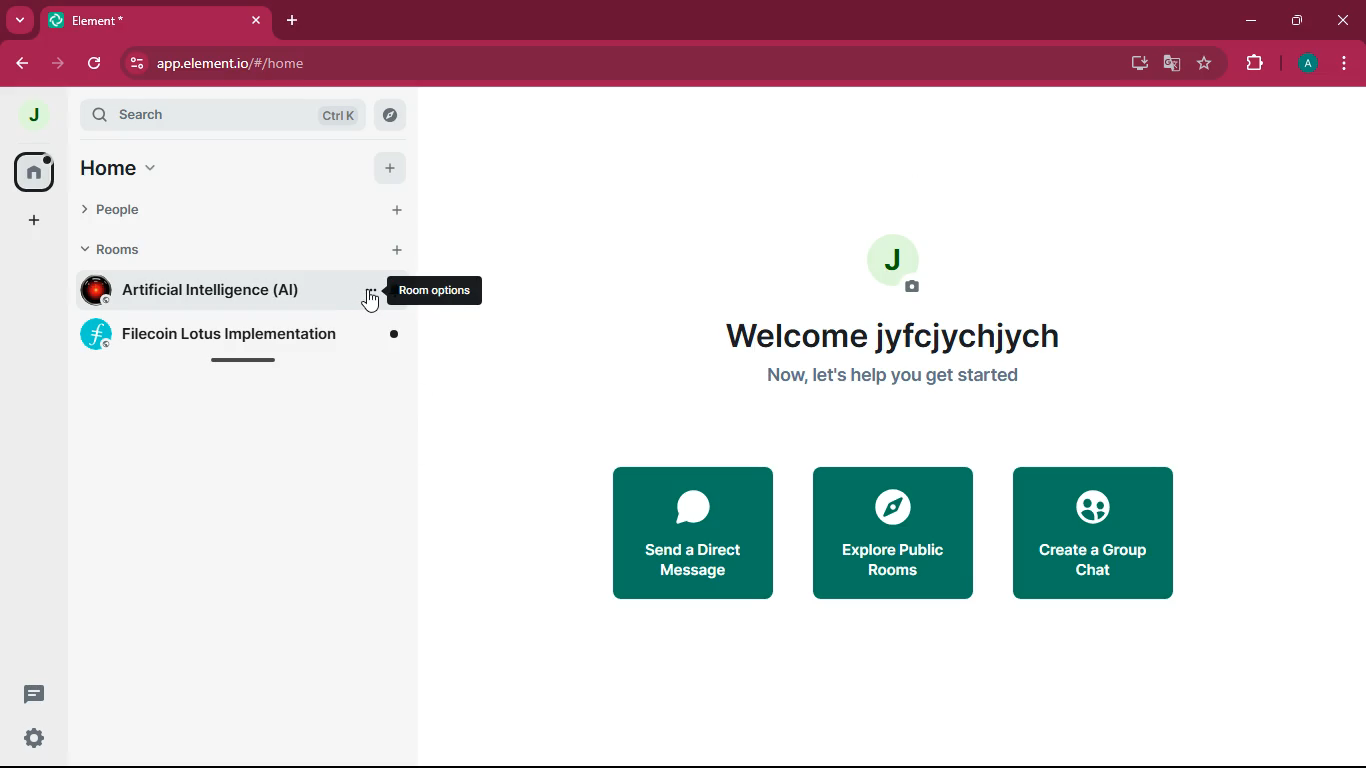  Describe the element at coordinates (1170, 66) in the screenshot. I see `google translate` at that location.